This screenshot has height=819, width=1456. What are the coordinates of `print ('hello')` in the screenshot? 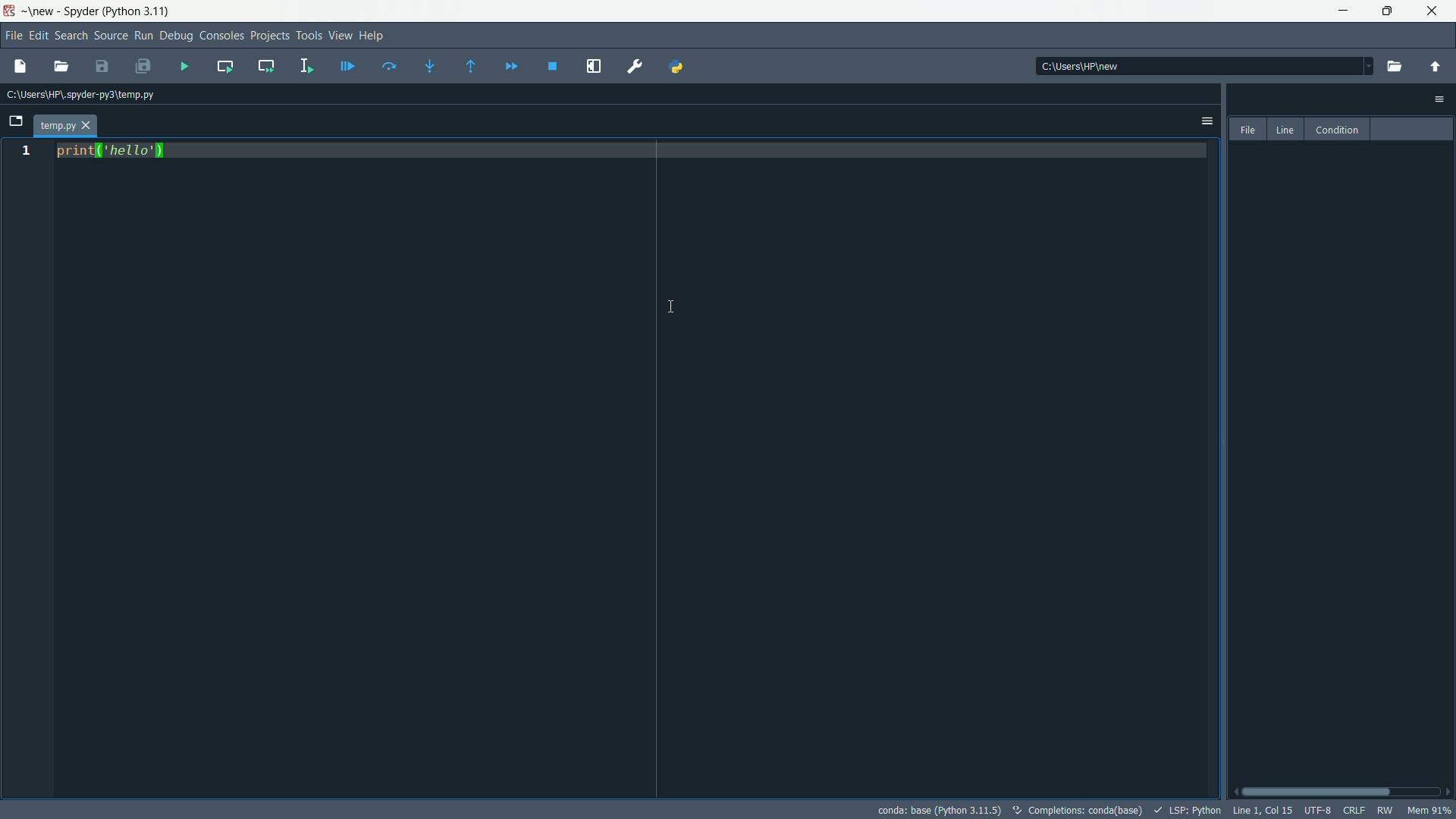 It's located at (115, 151).